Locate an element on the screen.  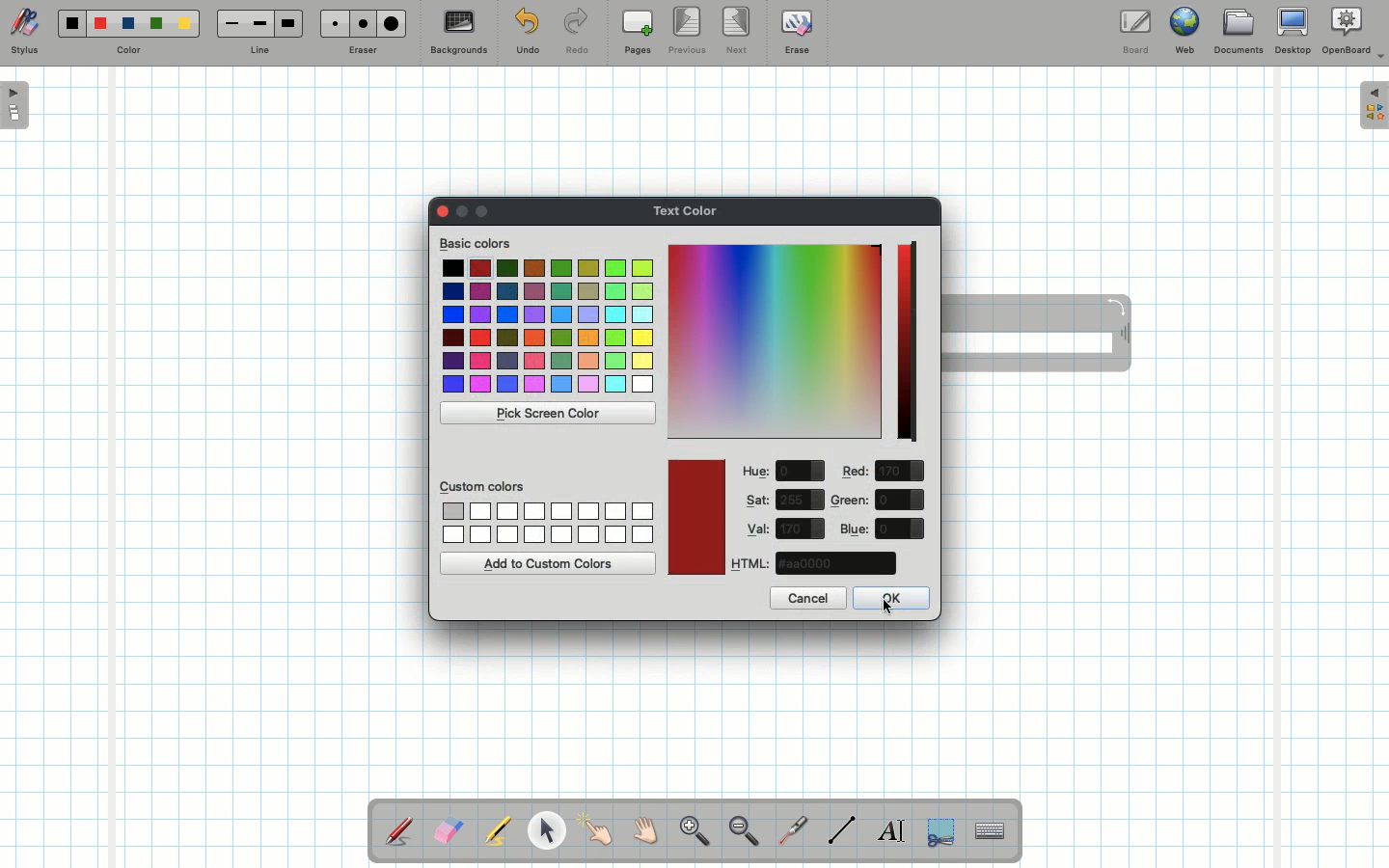
HTML is located at coordinates (751, 563).